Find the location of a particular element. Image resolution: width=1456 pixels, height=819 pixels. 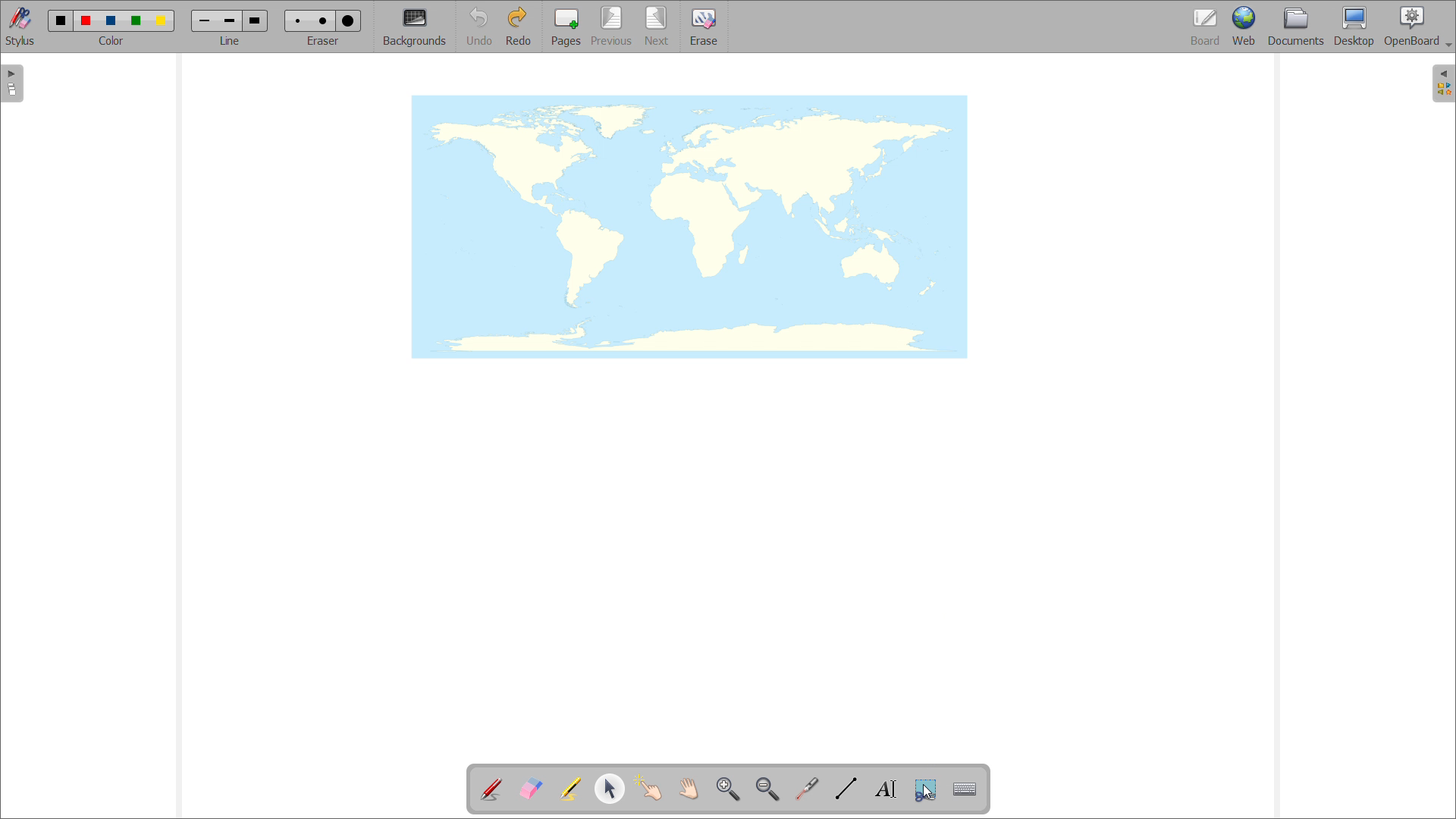

image is located at coordinates (690, 227).